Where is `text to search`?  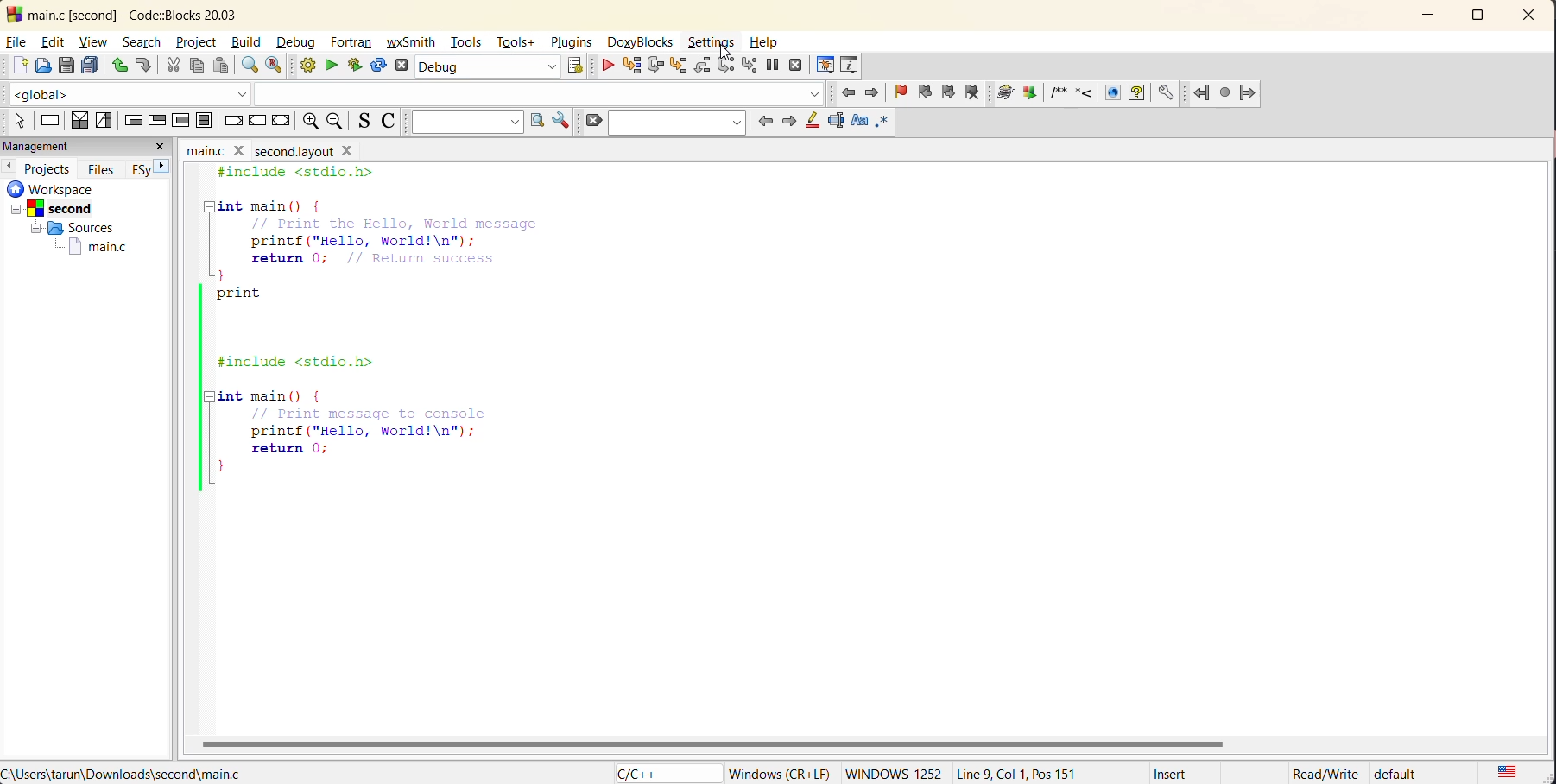 text to search is located at coordinates (465, 126).